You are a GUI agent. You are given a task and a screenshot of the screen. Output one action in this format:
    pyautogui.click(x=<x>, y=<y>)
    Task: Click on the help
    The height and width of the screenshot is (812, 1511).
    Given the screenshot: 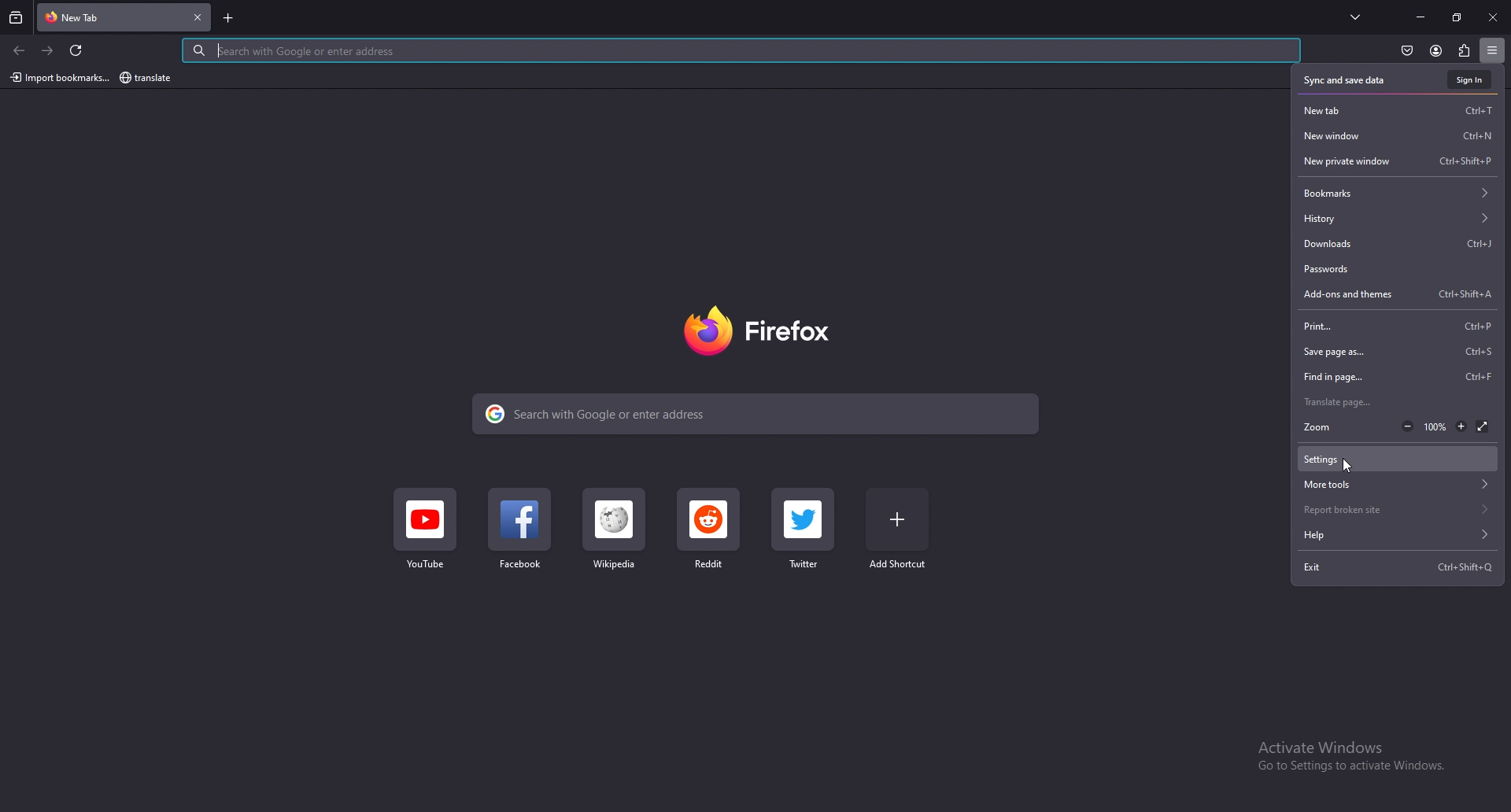 What is the action you would take?
    pyautogui.click(x=1398, y=535)
    